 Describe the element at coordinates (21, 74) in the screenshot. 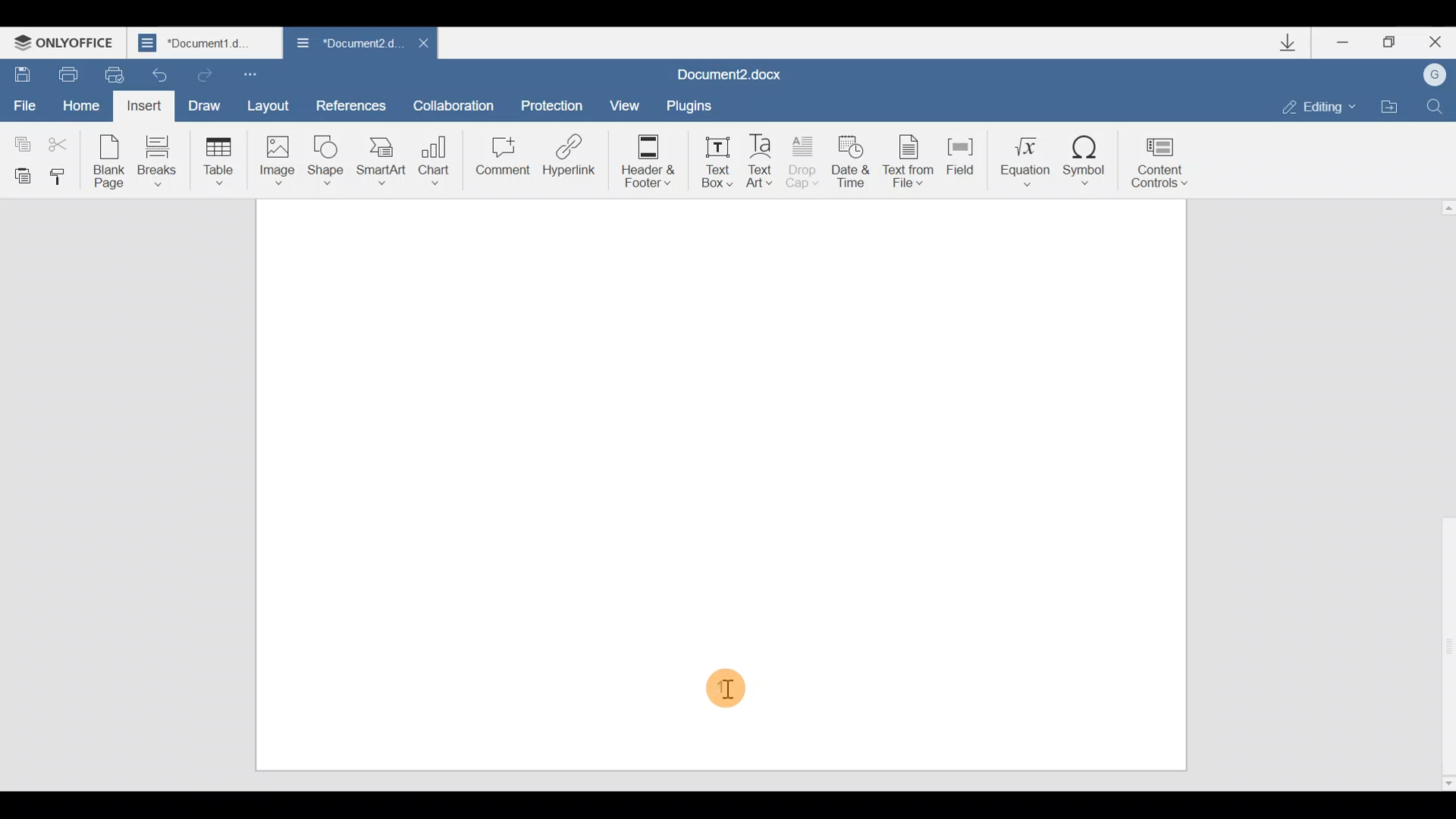

I see `Save` at that location.